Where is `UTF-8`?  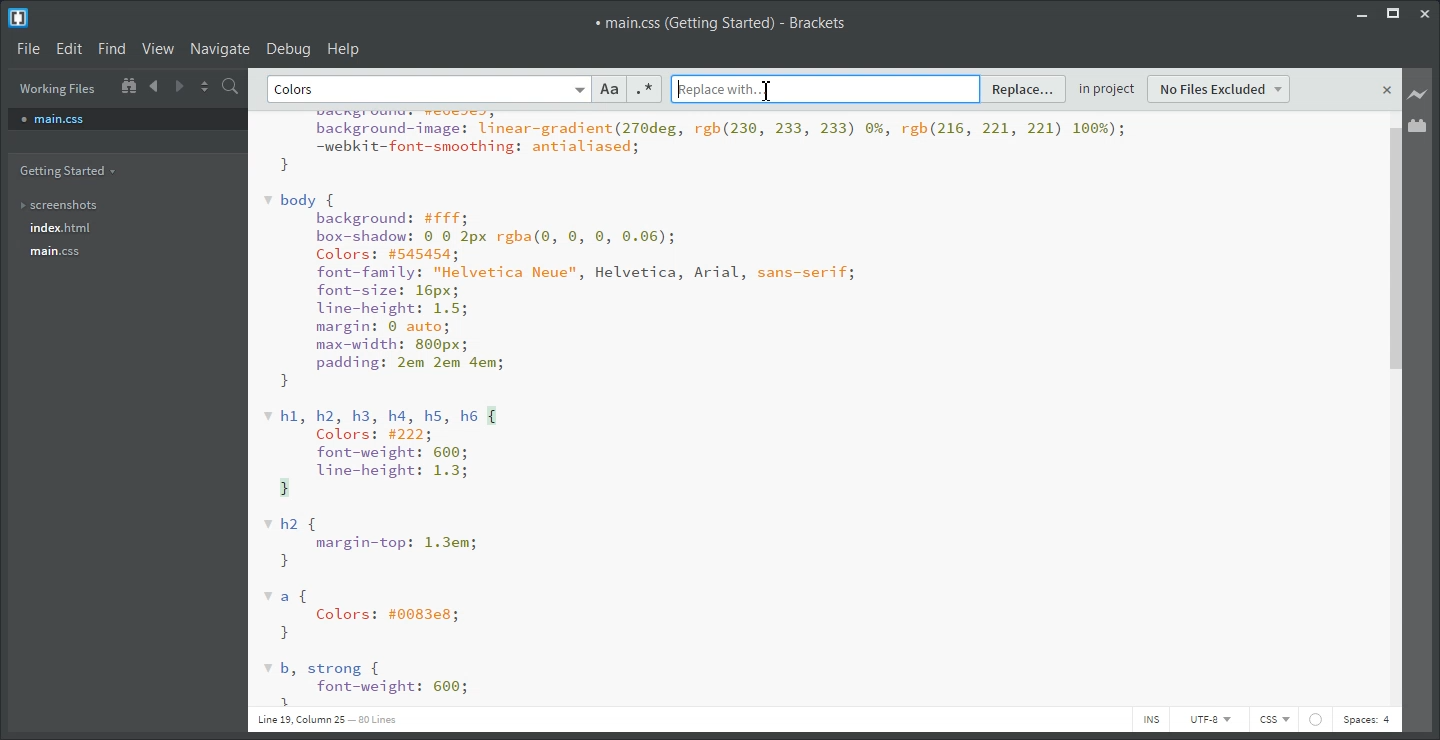 UTF-8 is located at coordinates (1208, 719).